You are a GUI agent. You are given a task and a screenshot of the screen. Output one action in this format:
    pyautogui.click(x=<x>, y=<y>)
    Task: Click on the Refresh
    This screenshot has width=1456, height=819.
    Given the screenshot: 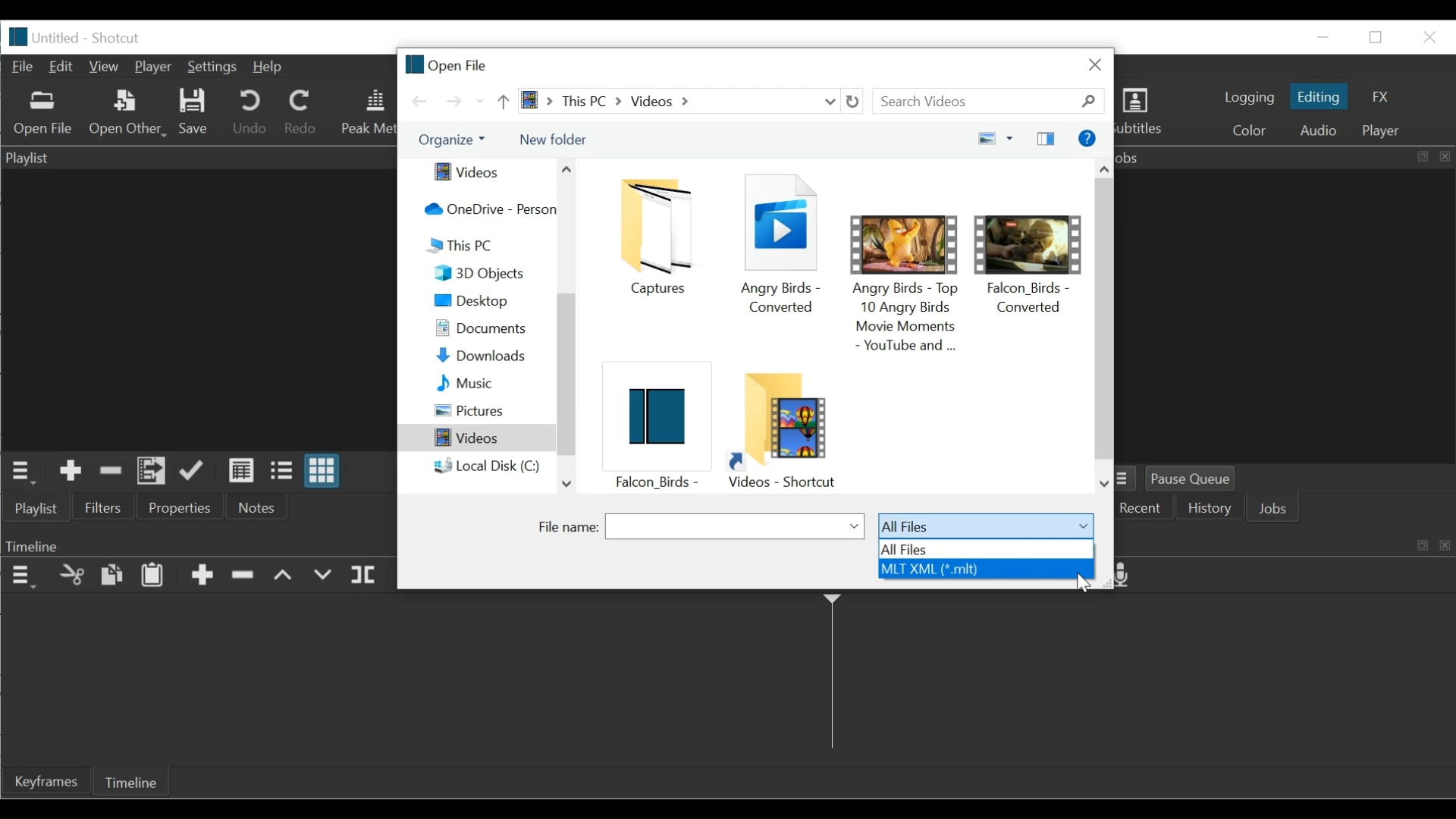 What is the action you would take?
    pyautogui.click(x=857, y=102)
    